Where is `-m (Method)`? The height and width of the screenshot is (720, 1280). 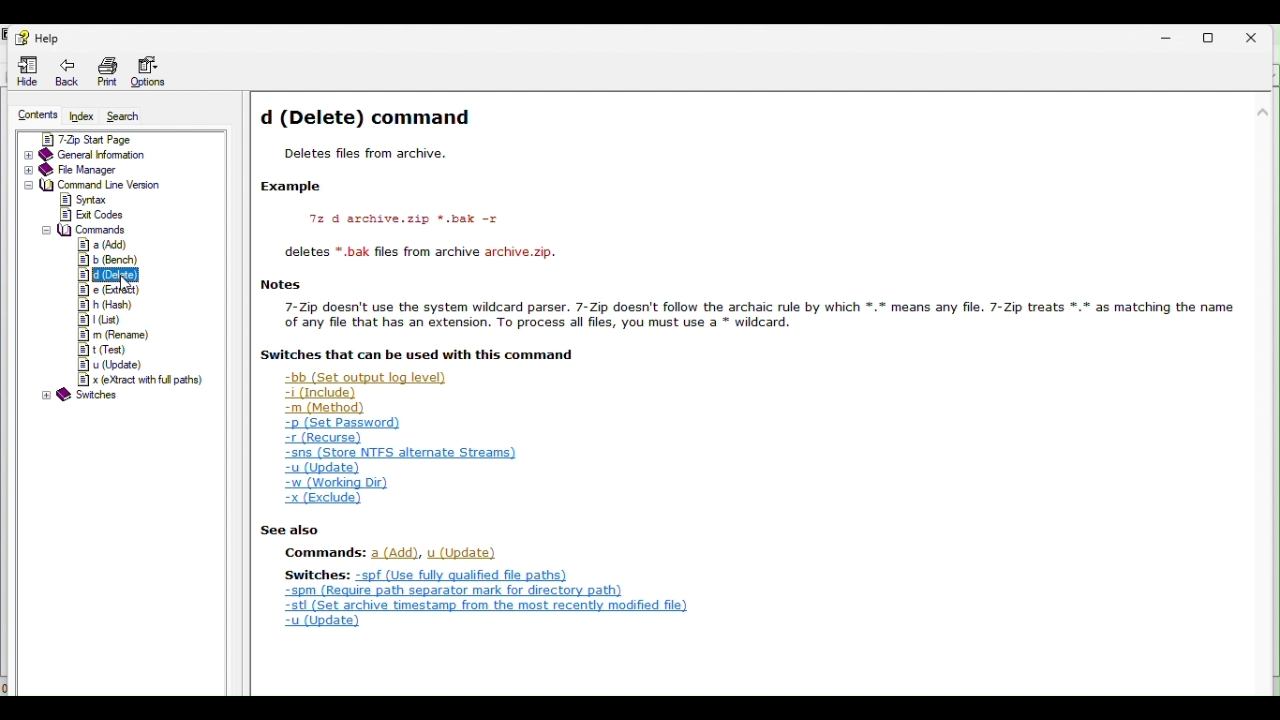 -m (Method) is located at coordinates (328, 407).